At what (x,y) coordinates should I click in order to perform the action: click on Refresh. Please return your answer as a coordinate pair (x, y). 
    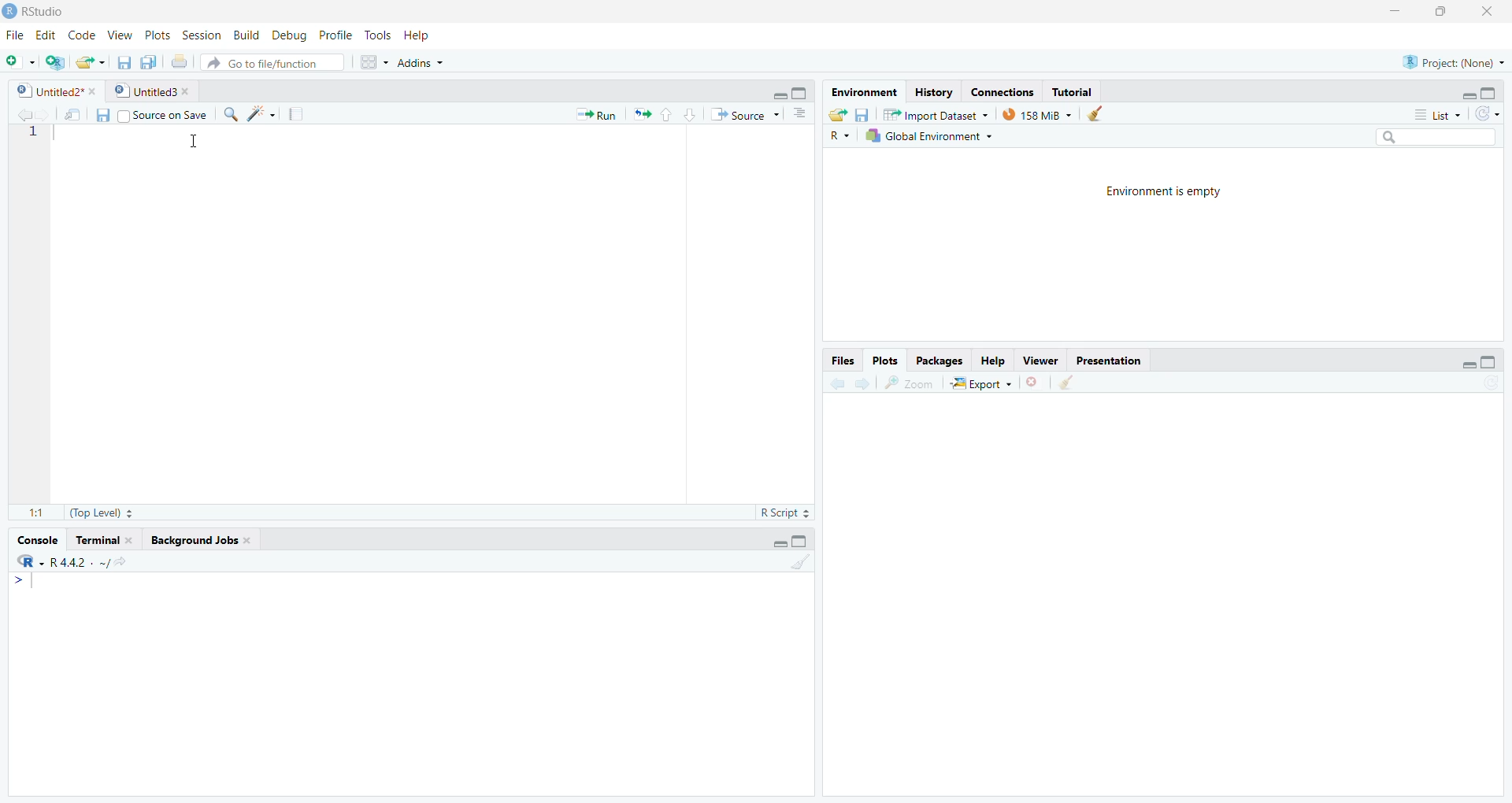
    Looking at the image, I should click on (1492, 115).